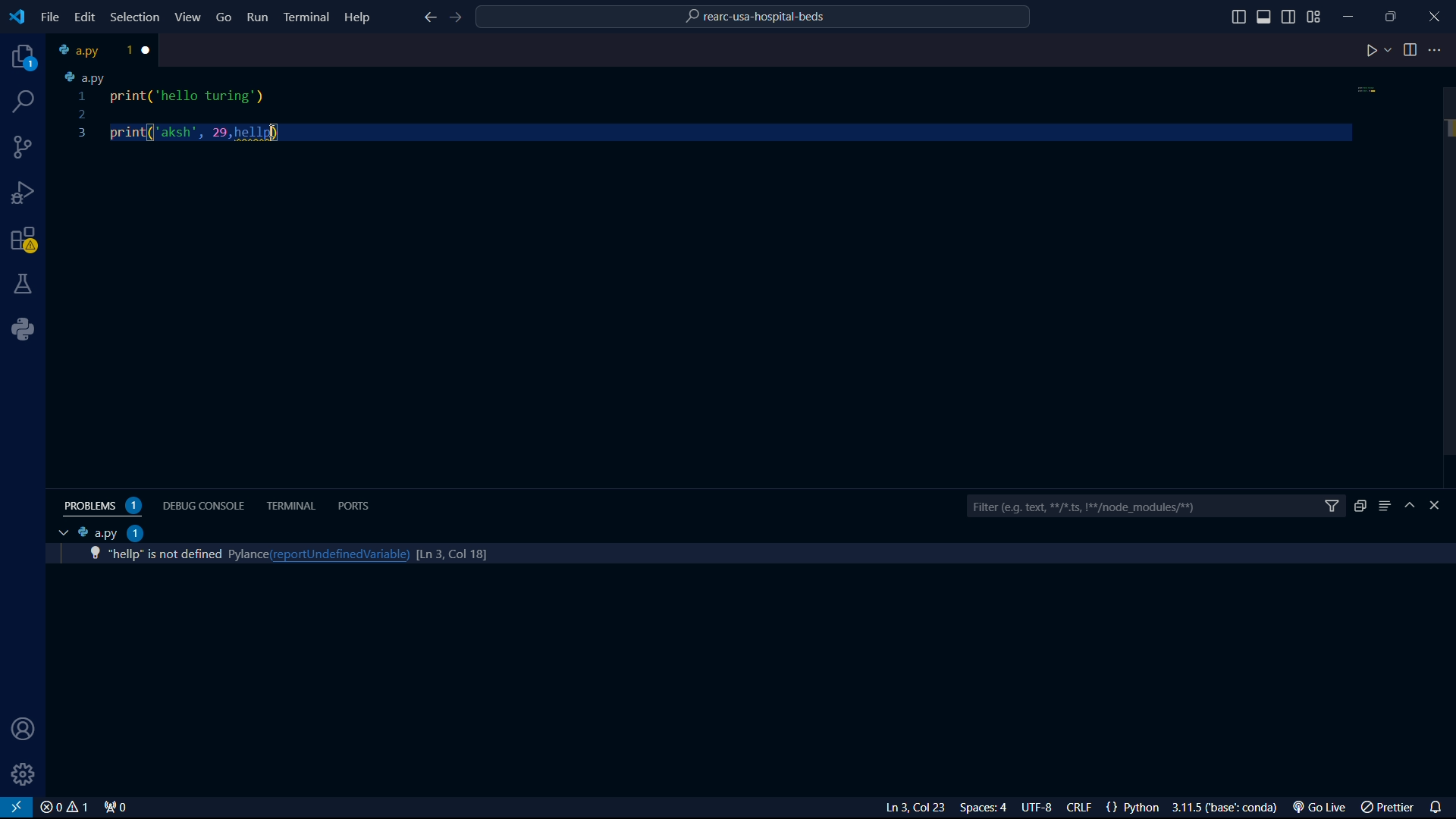 The image size is (1456, 819). What do you see at coordinates (24, 774) in the screenshot?
I see `settings` at bounding box center [24, 774].